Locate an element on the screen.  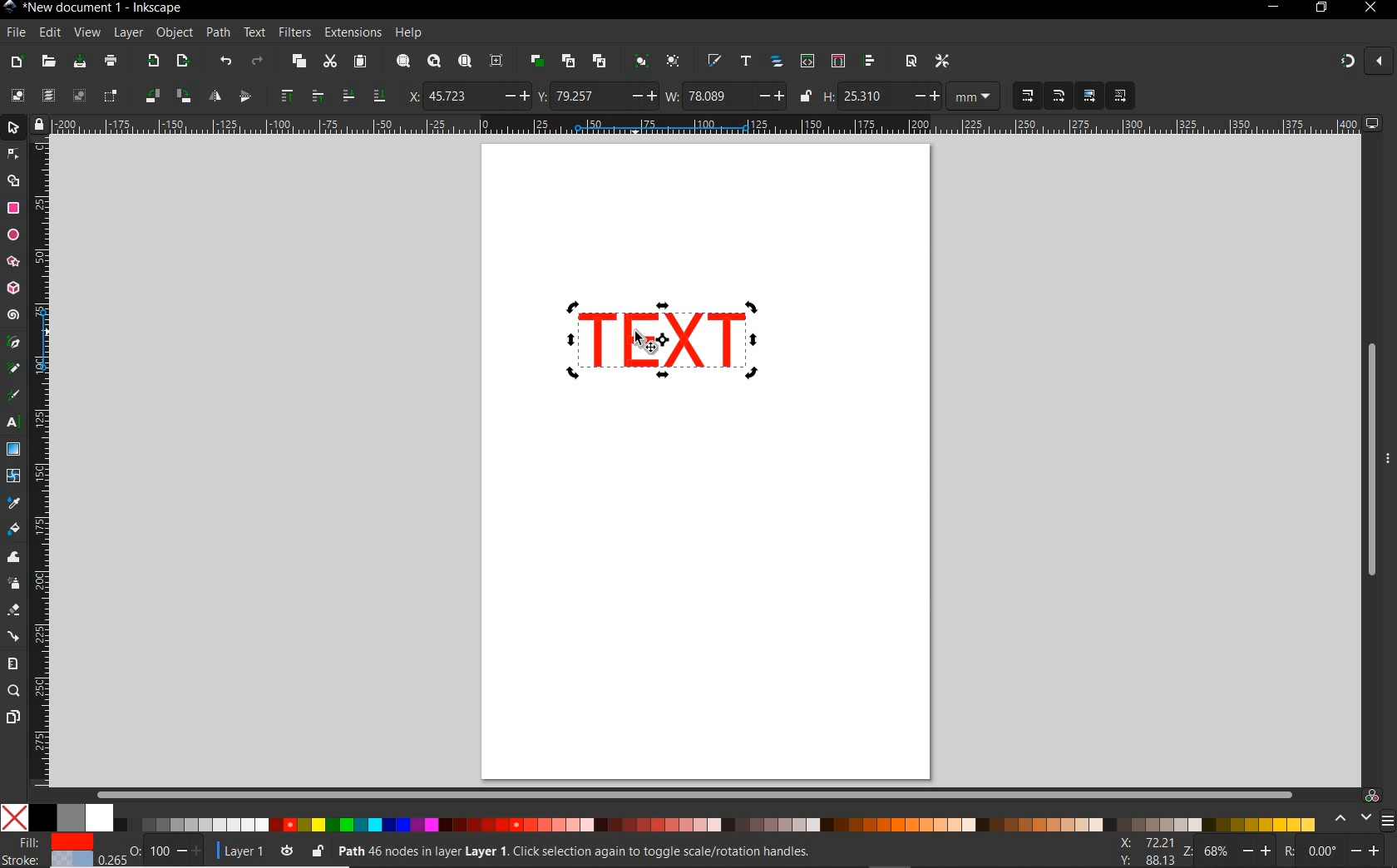
PATH is located at coordinates (219, 36).